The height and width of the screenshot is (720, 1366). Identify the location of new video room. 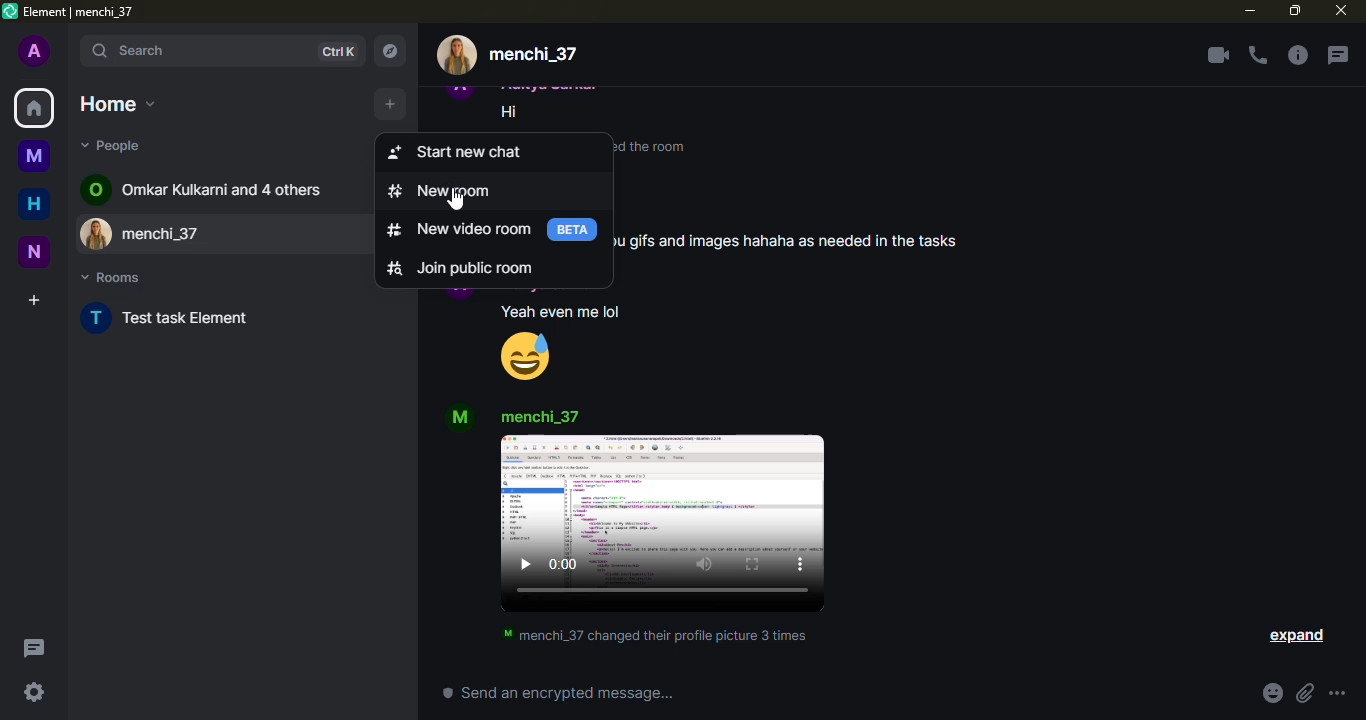
(459, 229).